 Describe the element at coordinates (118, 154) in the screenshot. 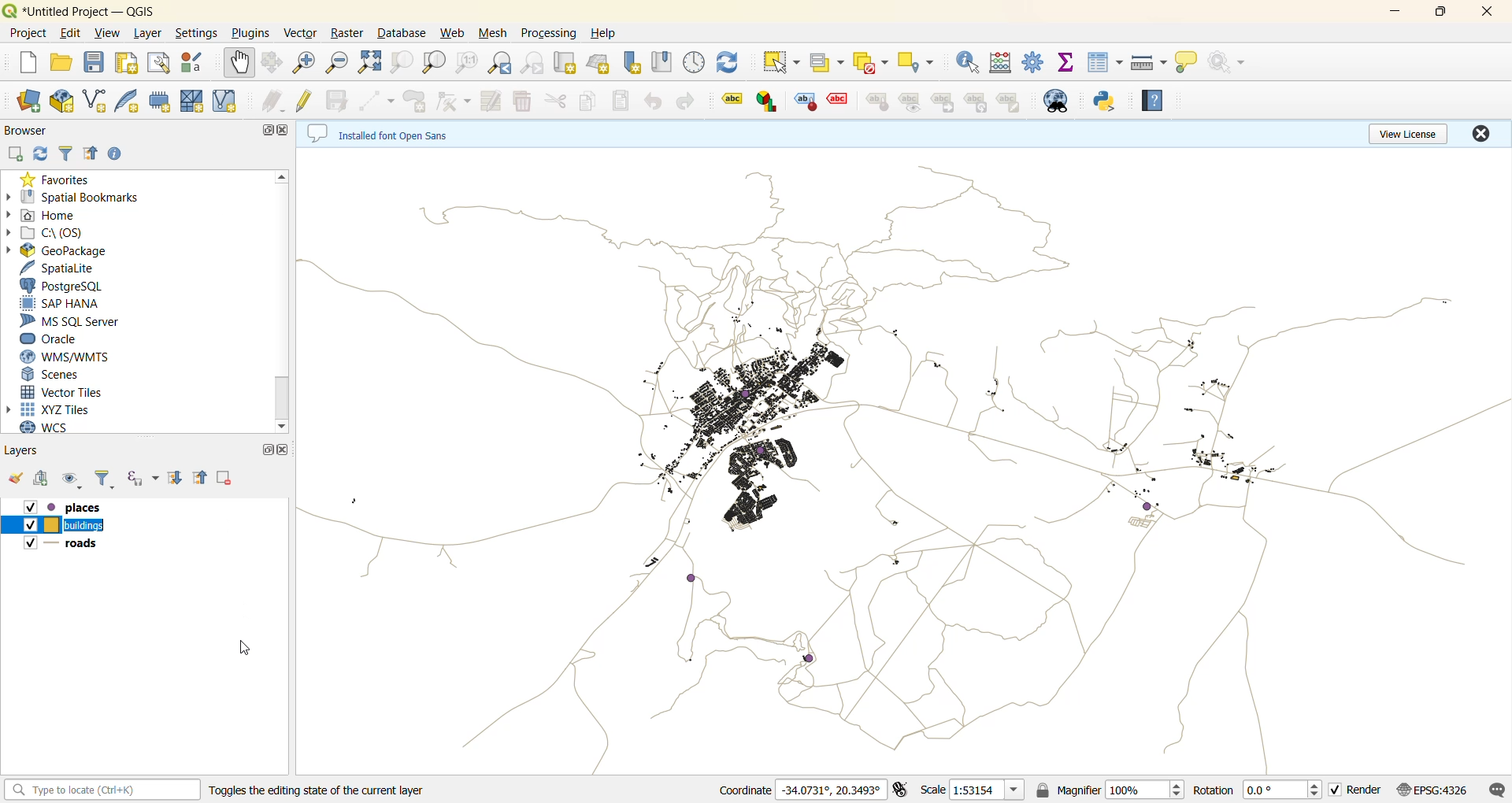

I see `enable/disable properties` at that location.